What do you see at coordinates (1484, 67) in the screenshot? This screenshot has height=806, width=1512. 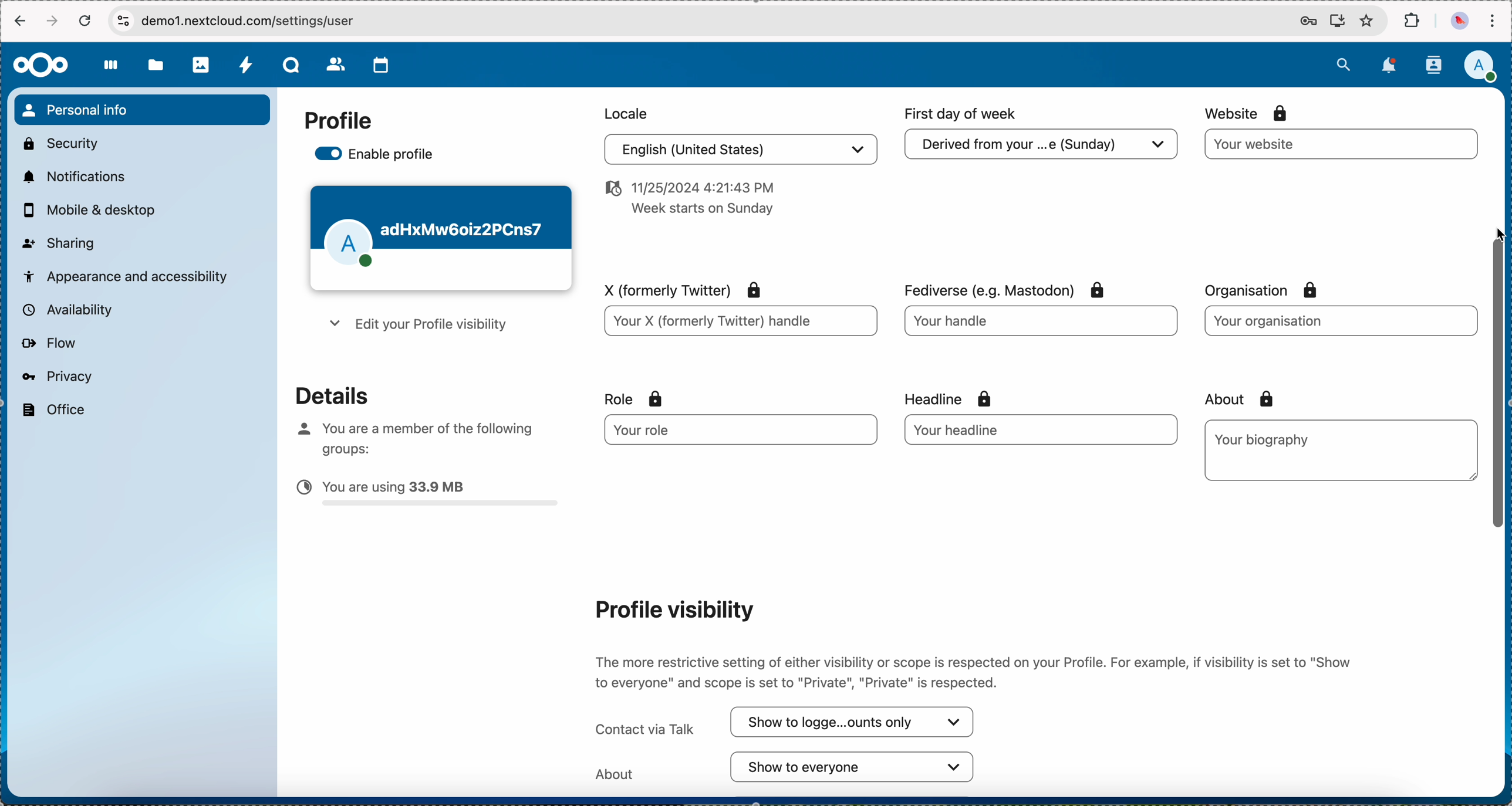 I see `click on user profile` at bounding box center [1484, 67].